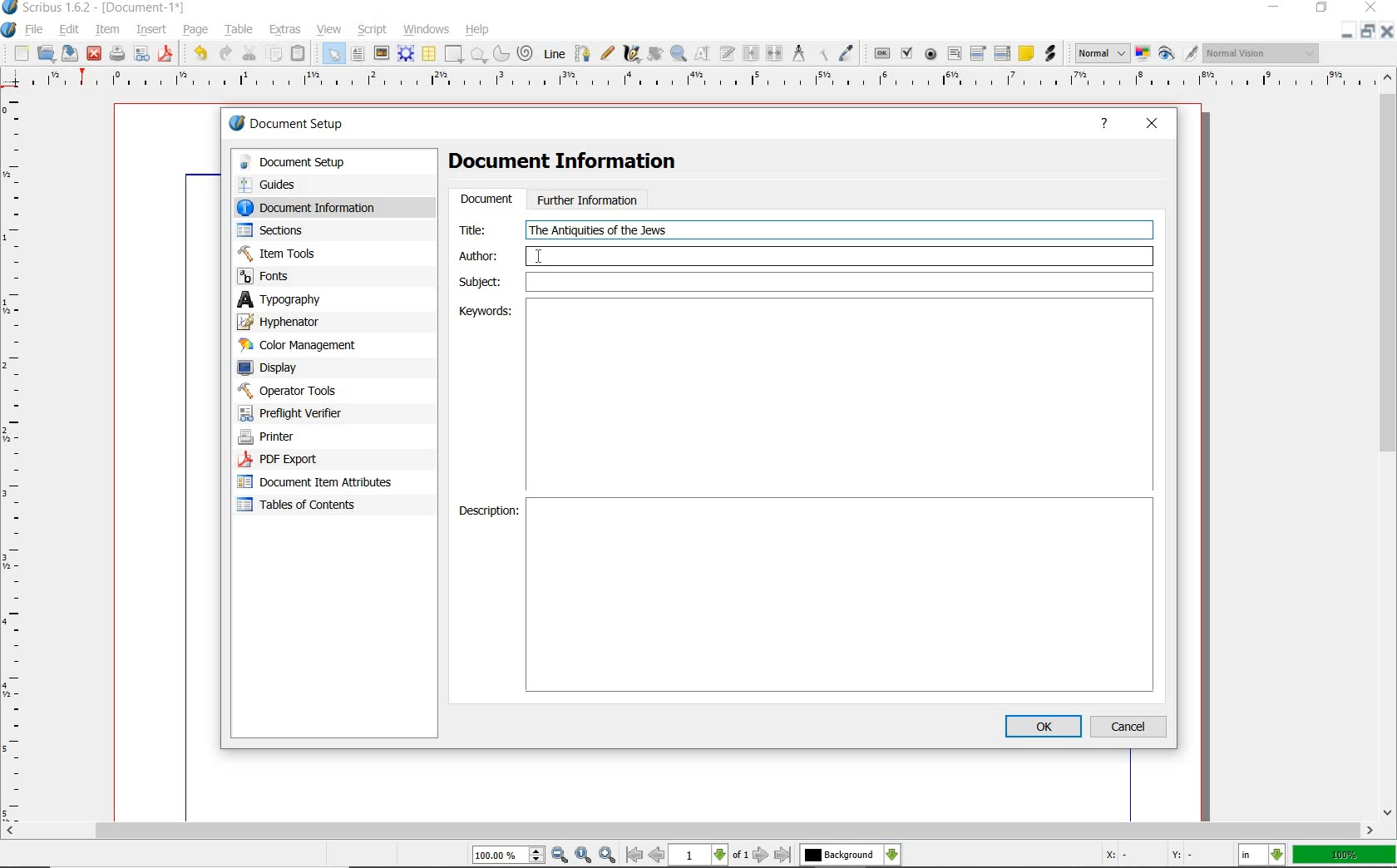  Describe the element at coordinates (47, 53) in the screenshot. I see `open` at that location.